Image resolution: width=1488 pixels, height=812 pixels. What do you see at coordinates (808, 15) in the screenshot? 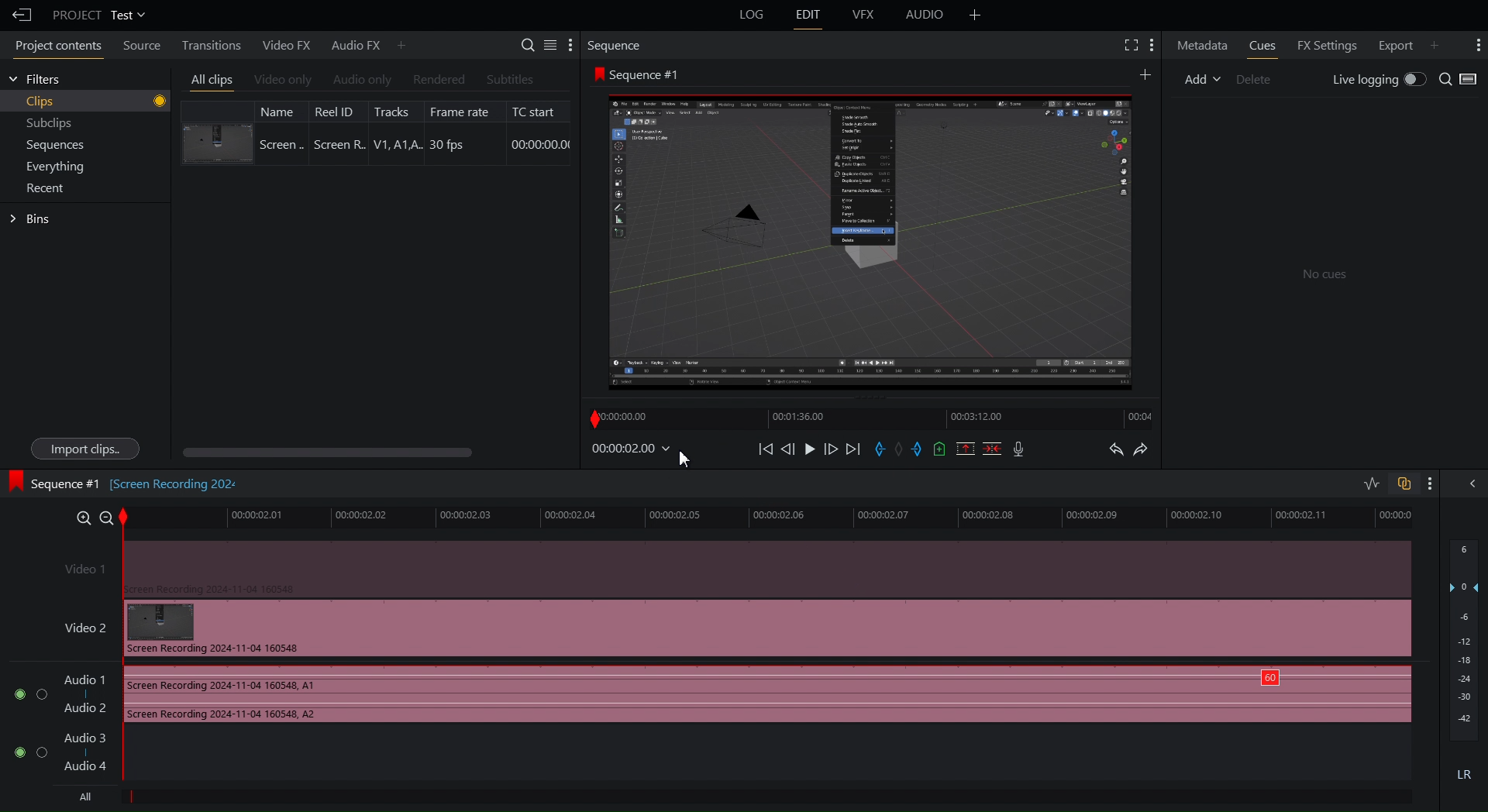
I see `Edit` at bounding box center [808, 15].